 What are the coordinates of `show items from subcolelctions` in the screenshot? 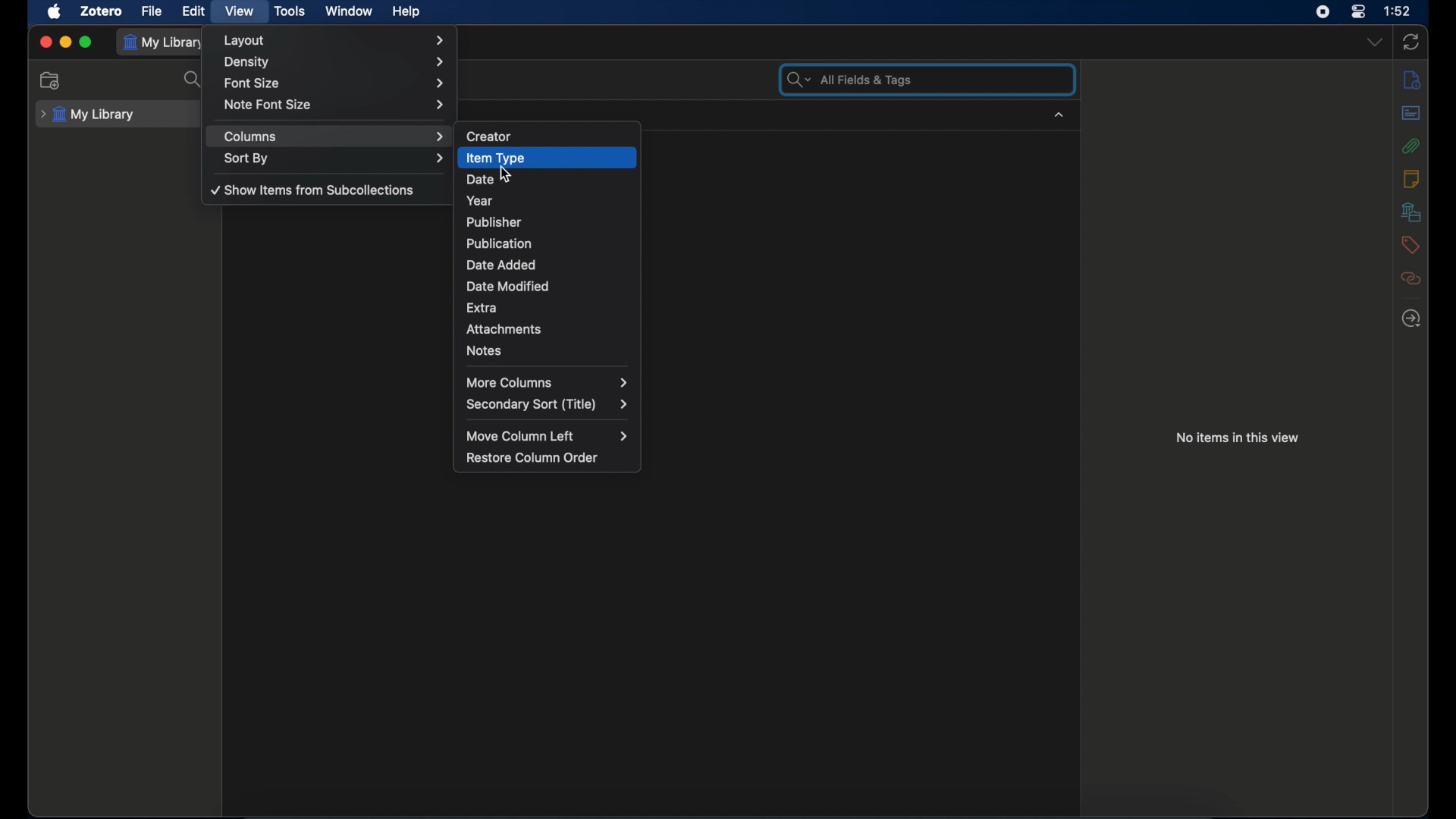 It's located at (312, 190).